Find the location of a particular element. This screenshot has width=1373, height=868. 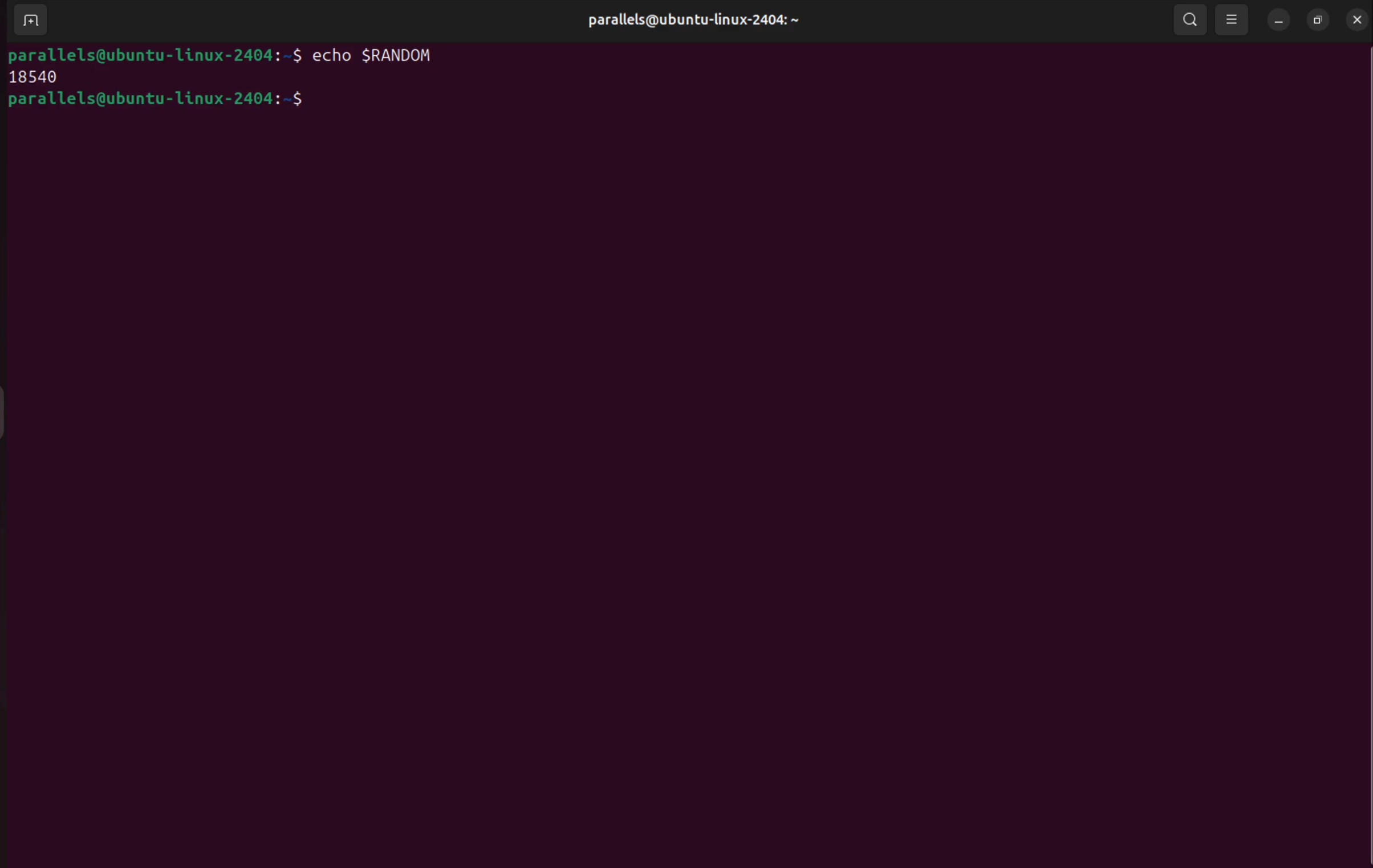

add terminal is located at coordinates (30, 21).